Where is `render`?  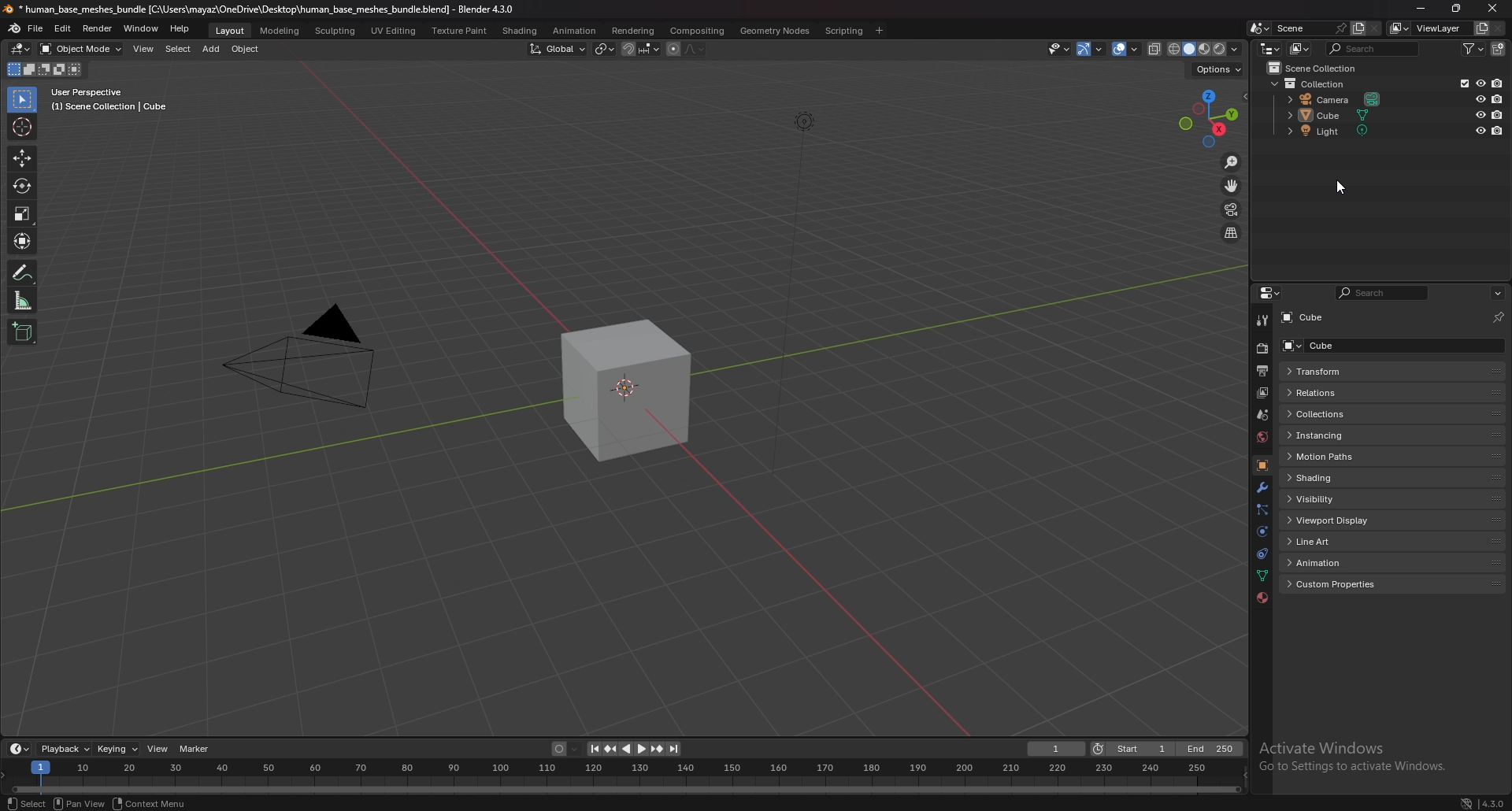
render is located at coordinates (98, 28).